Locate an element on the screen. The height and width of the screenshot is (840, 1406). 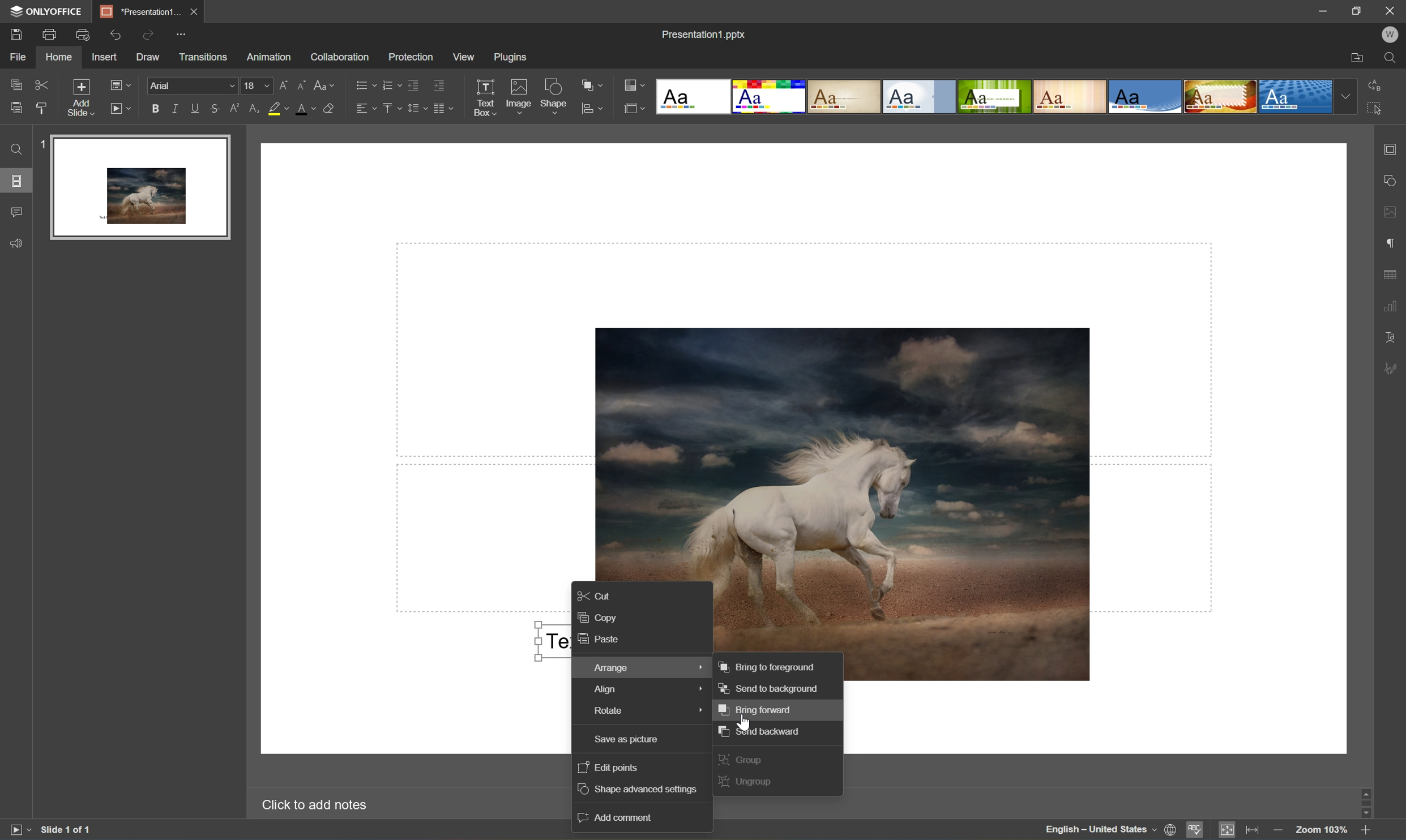
Bring to forward is located at coordinates (767, 667).